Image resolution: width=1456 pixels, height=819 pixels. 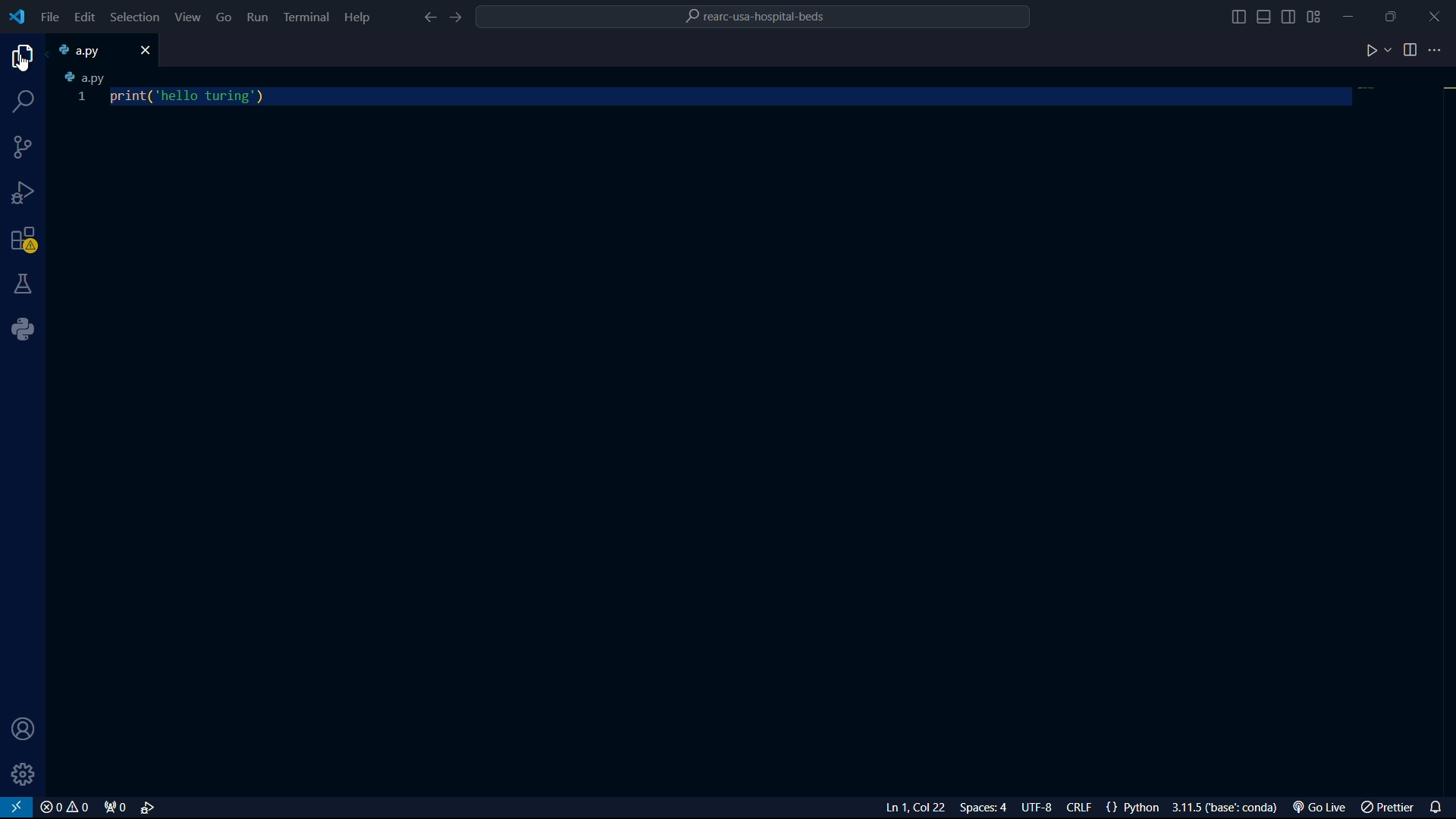 I want to click on toggle secondary sidebar, so click(x=1289, y=16).